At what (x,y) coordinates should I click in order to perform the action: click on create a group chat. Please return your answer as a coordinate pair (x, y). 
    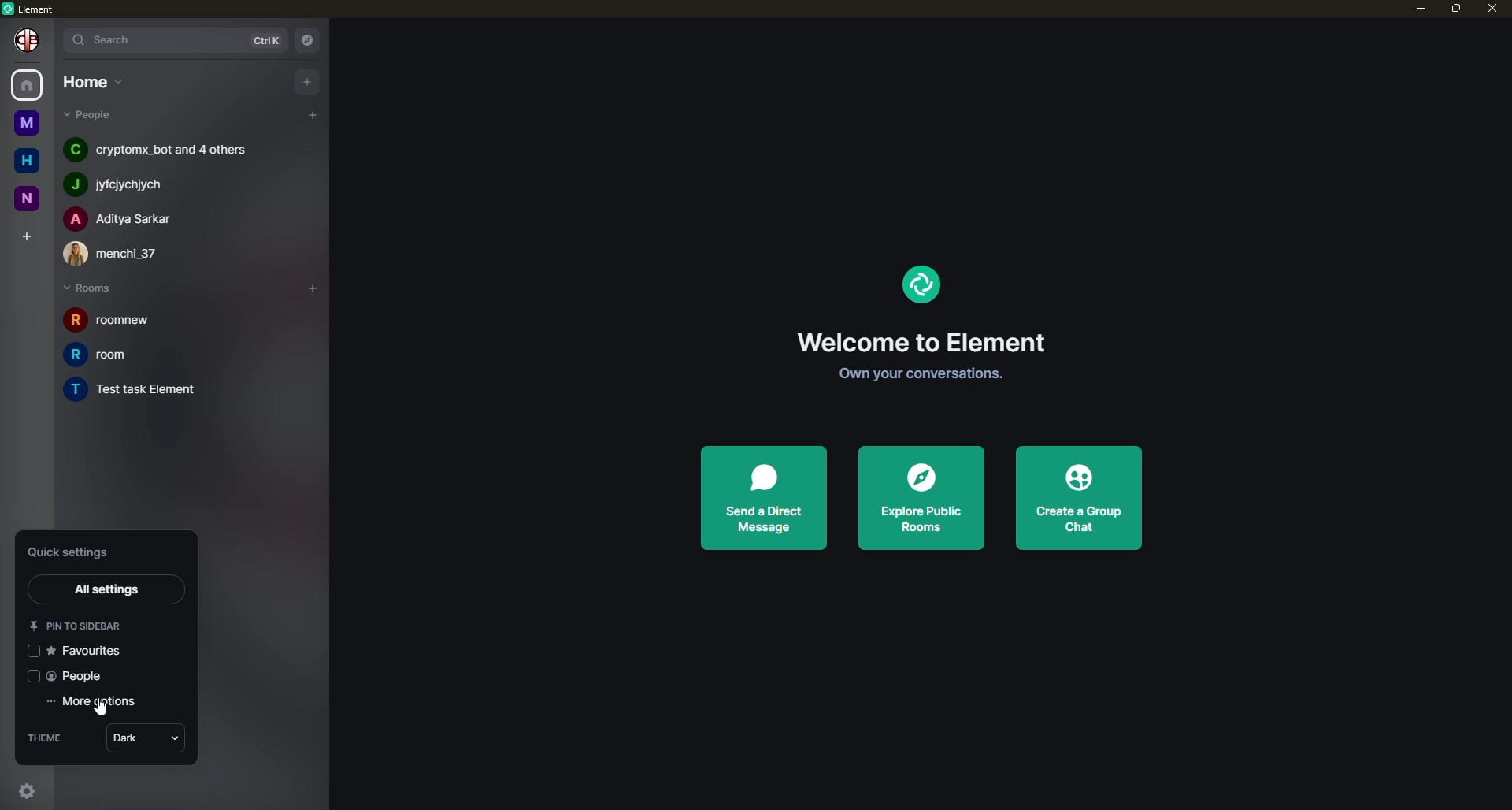
    Looking at the image, I should click on (1074, 497).